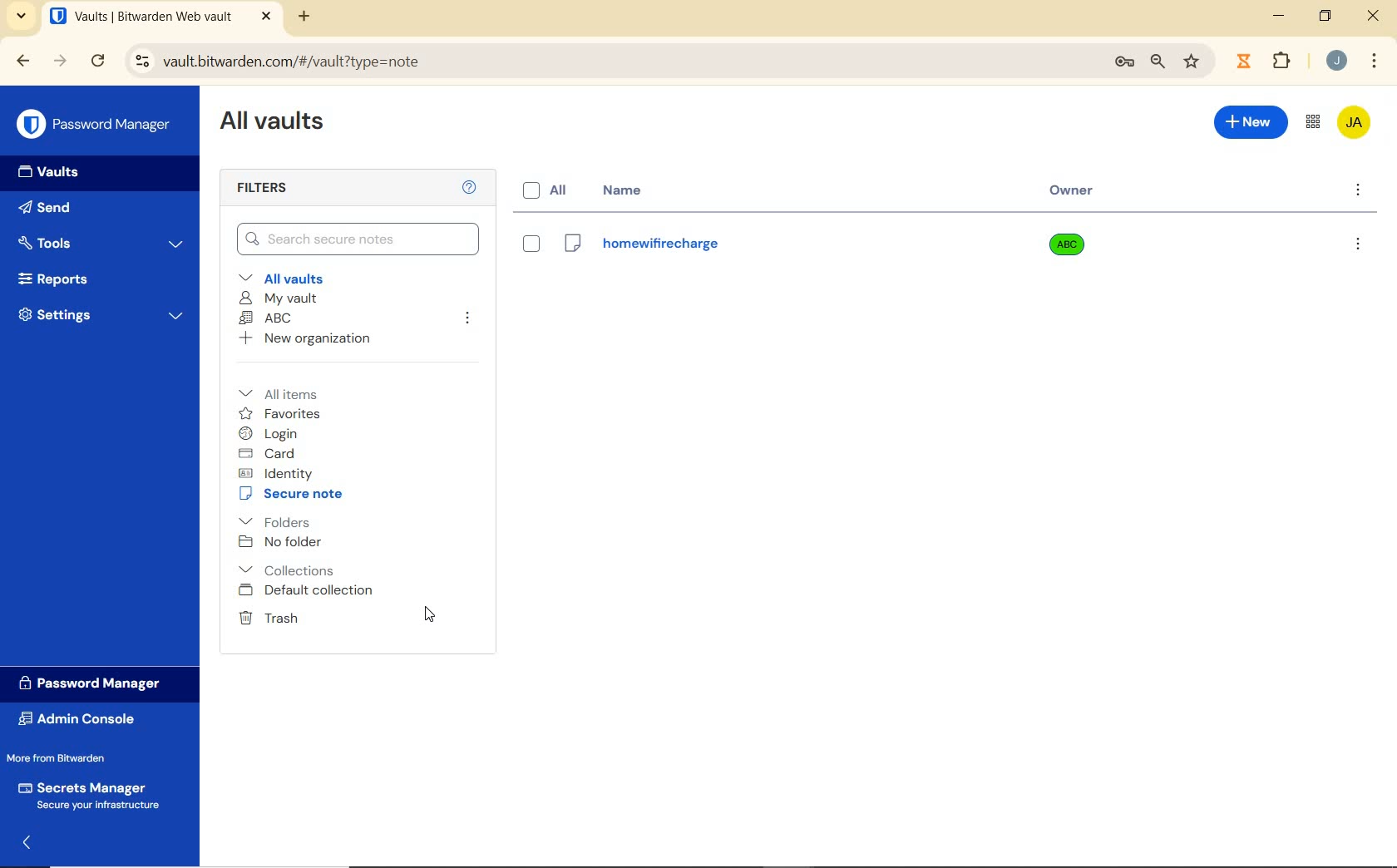 This screenshot has width=1397, height=868. What do you see at coordinates (271, 433) in the screenshot?
I see `login` at bounding box center [271, 433].